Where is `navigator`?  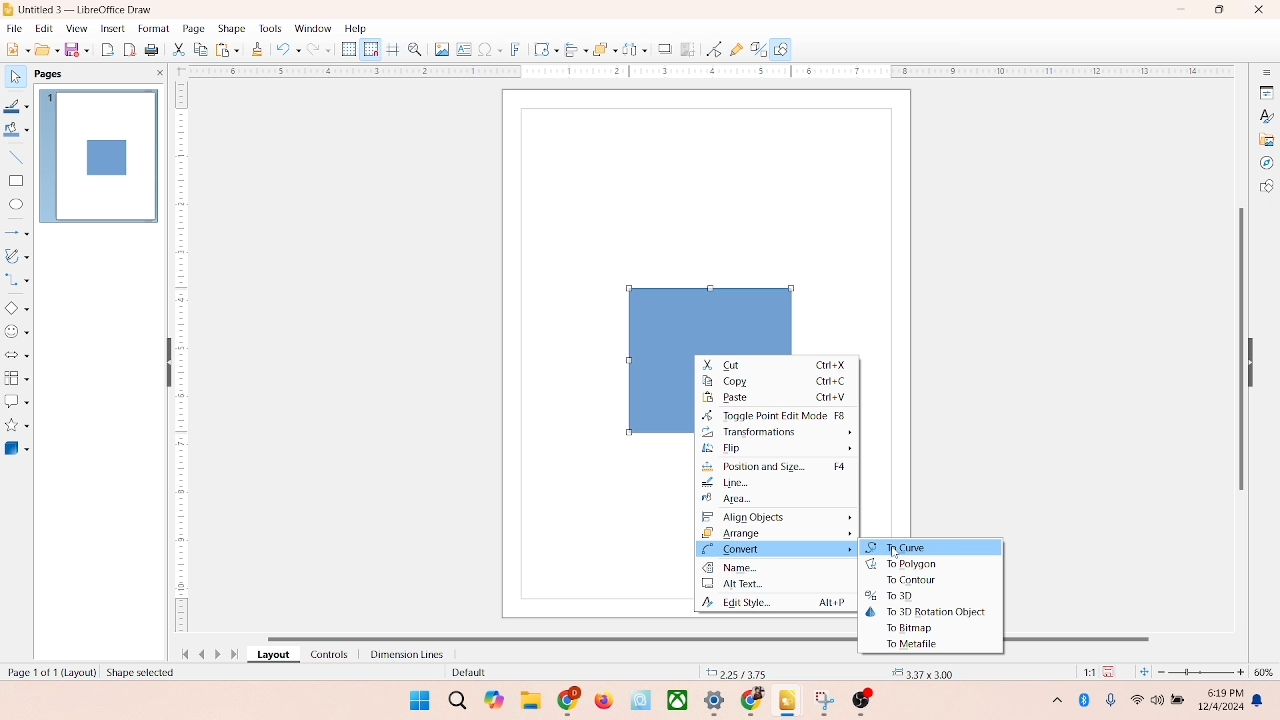 navigator is located at coordinates (1266, 163).